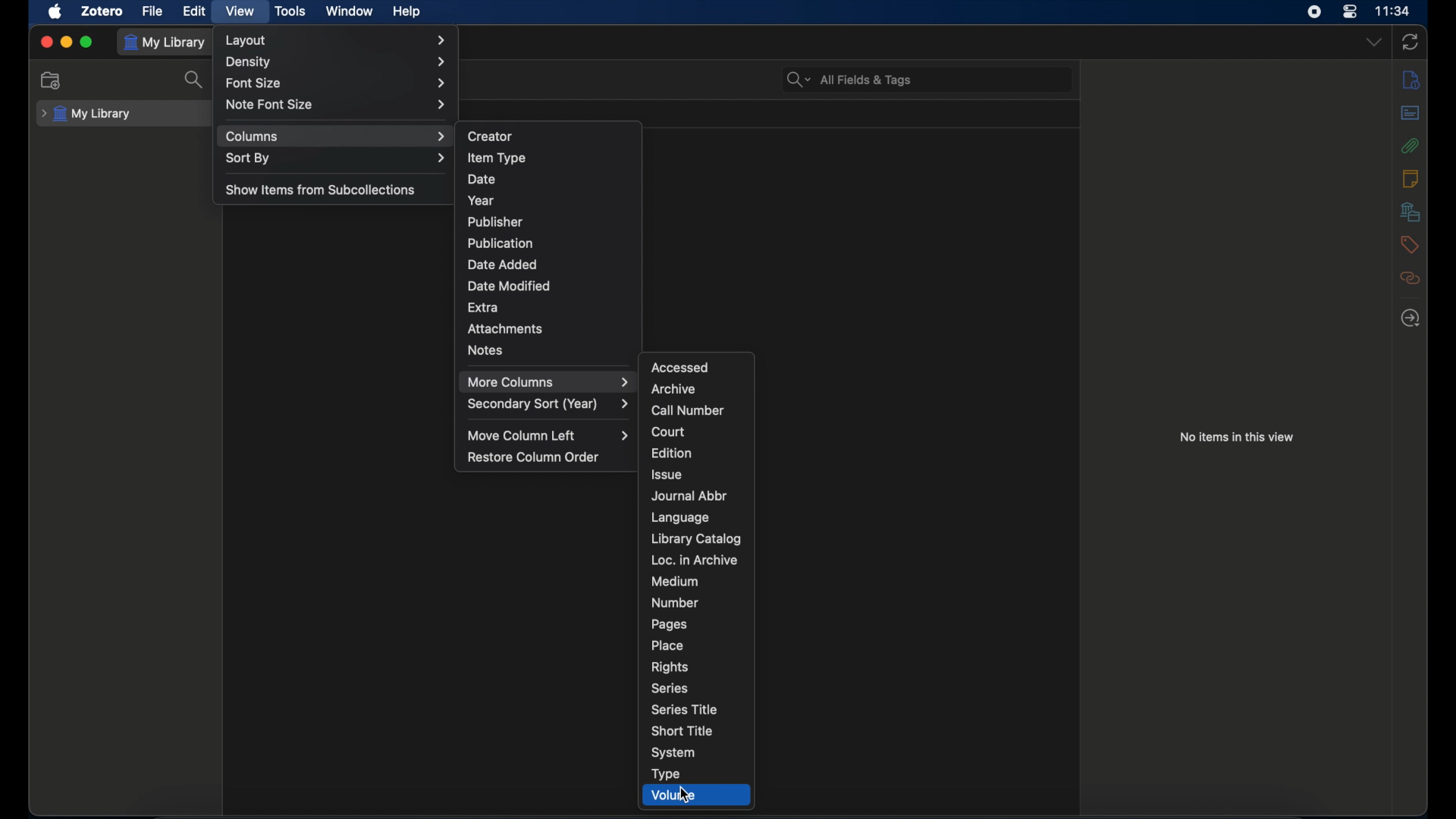 The image size is (1456, 819). Describe the element at coordinates (691, 496) in the screenshot. I see `journal abbr` at that location.